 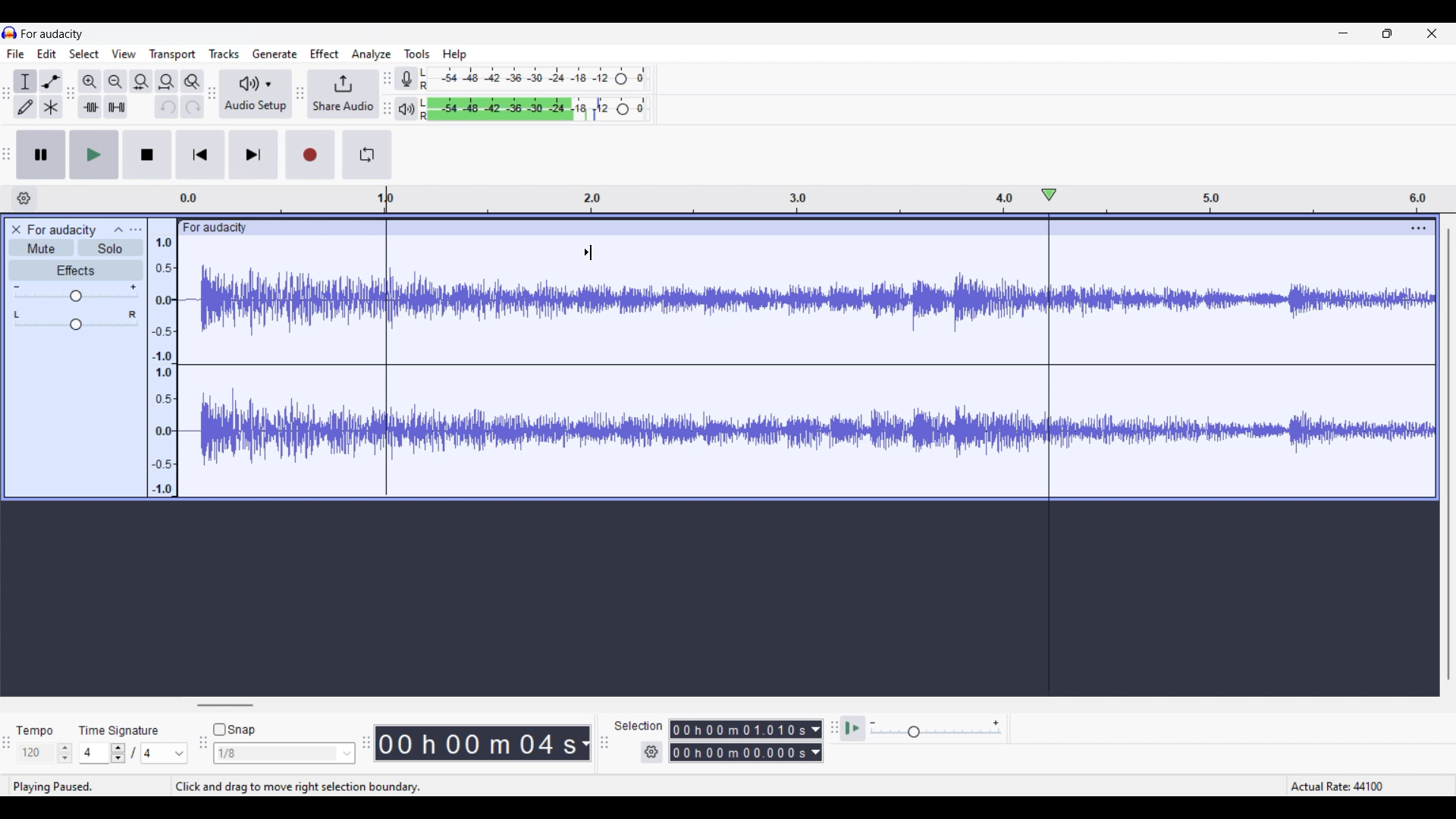 What do you see at coordinates (417, 54) in the screenshot?
I see `Tools menu` at bounding box center [417, 54].